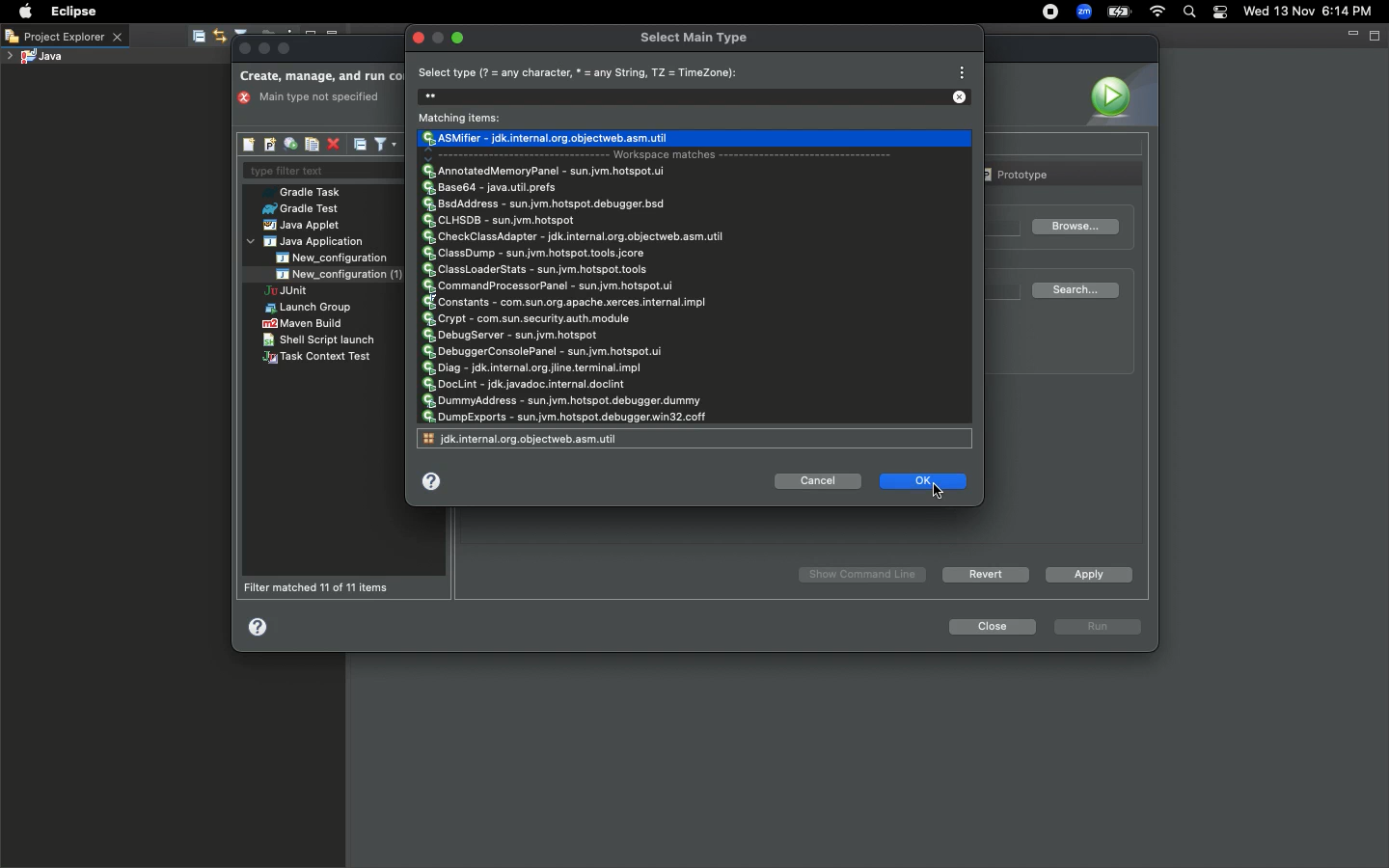 The width and height of the screenshot is (1389, 868). Describe the element at coordinates (581, 73) in the screenshot. I see `Select type (? = any character, * = any String, TZ = TimeZone):` at that location.